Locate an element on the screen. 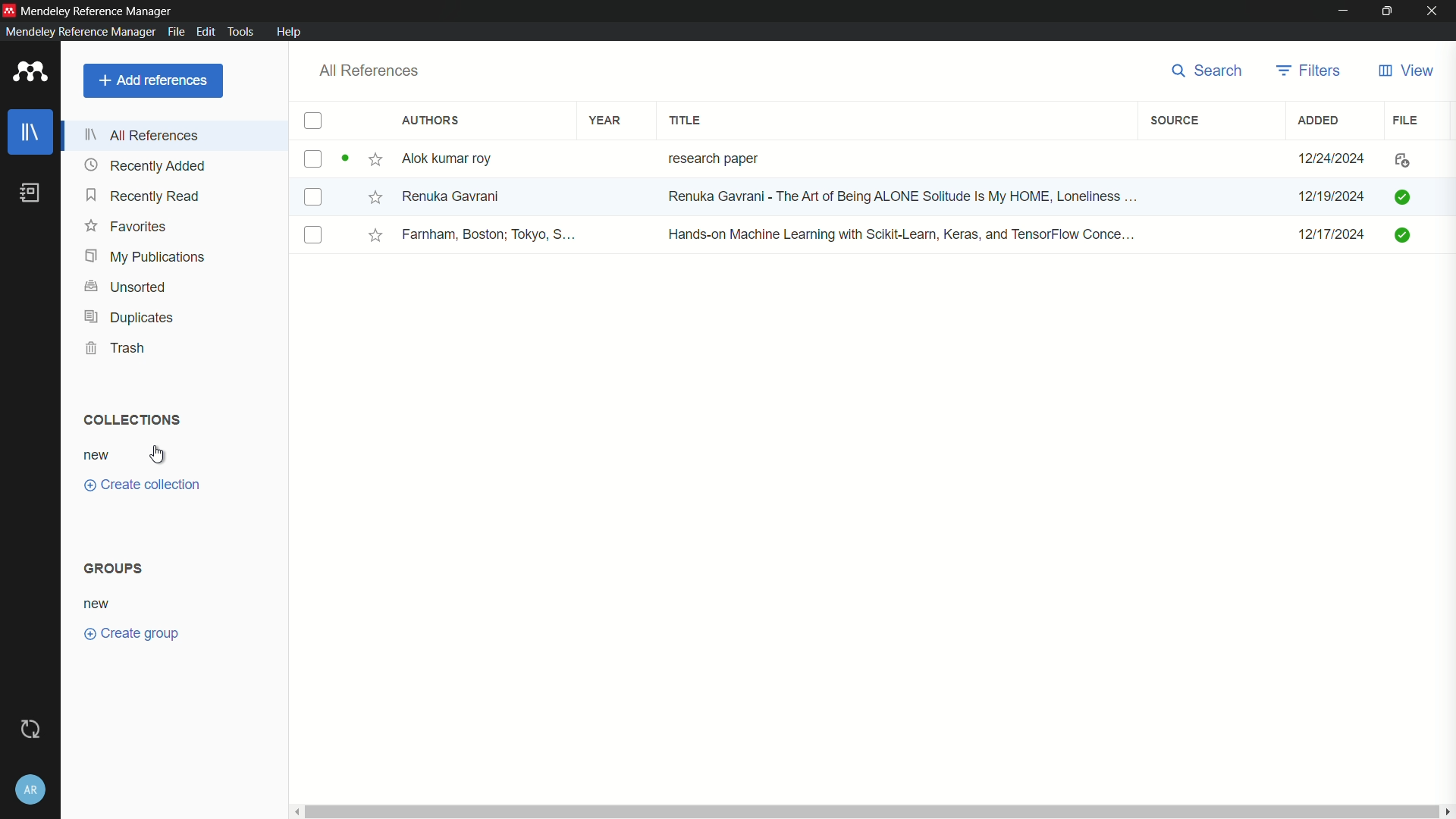 Image resolution: width=1456 pixels, height=819 pixels. tools menu is located at coordinates (240, 32).